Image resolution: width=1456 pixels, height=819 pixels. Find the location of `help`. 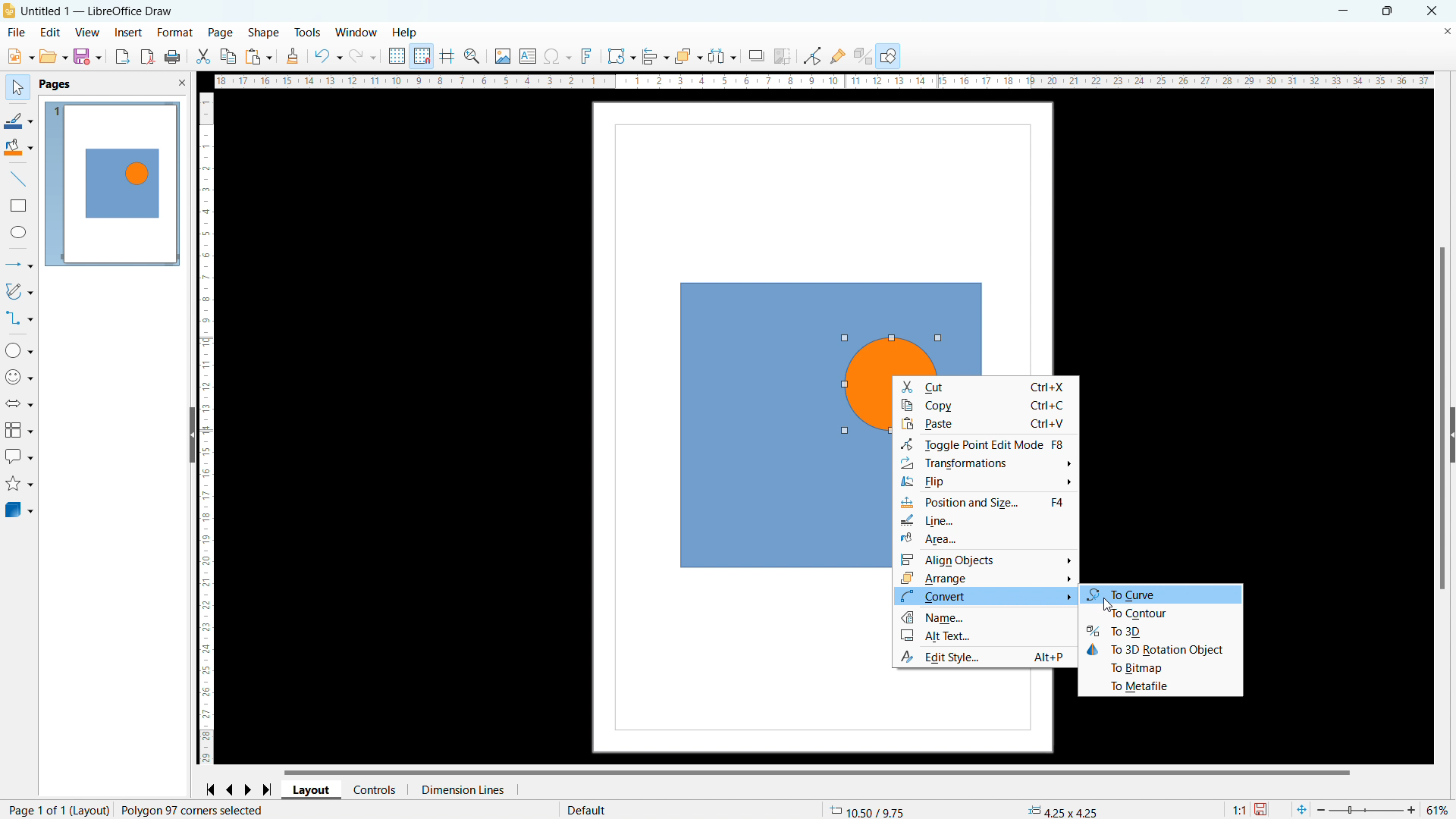

help is located at coordinates (404, 32).